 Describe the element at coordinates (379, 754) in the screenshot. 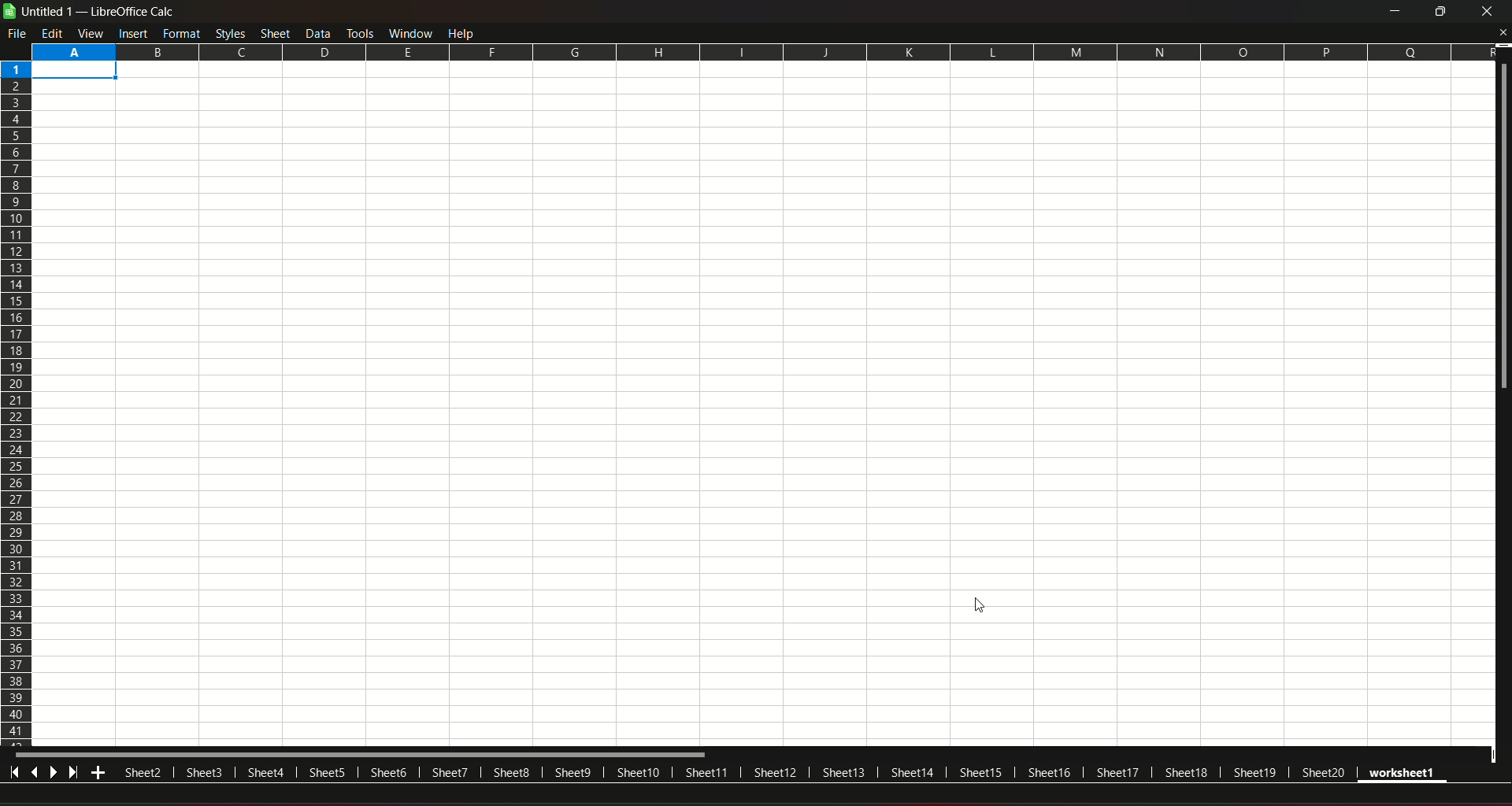

I see `scrollbar` at that location.